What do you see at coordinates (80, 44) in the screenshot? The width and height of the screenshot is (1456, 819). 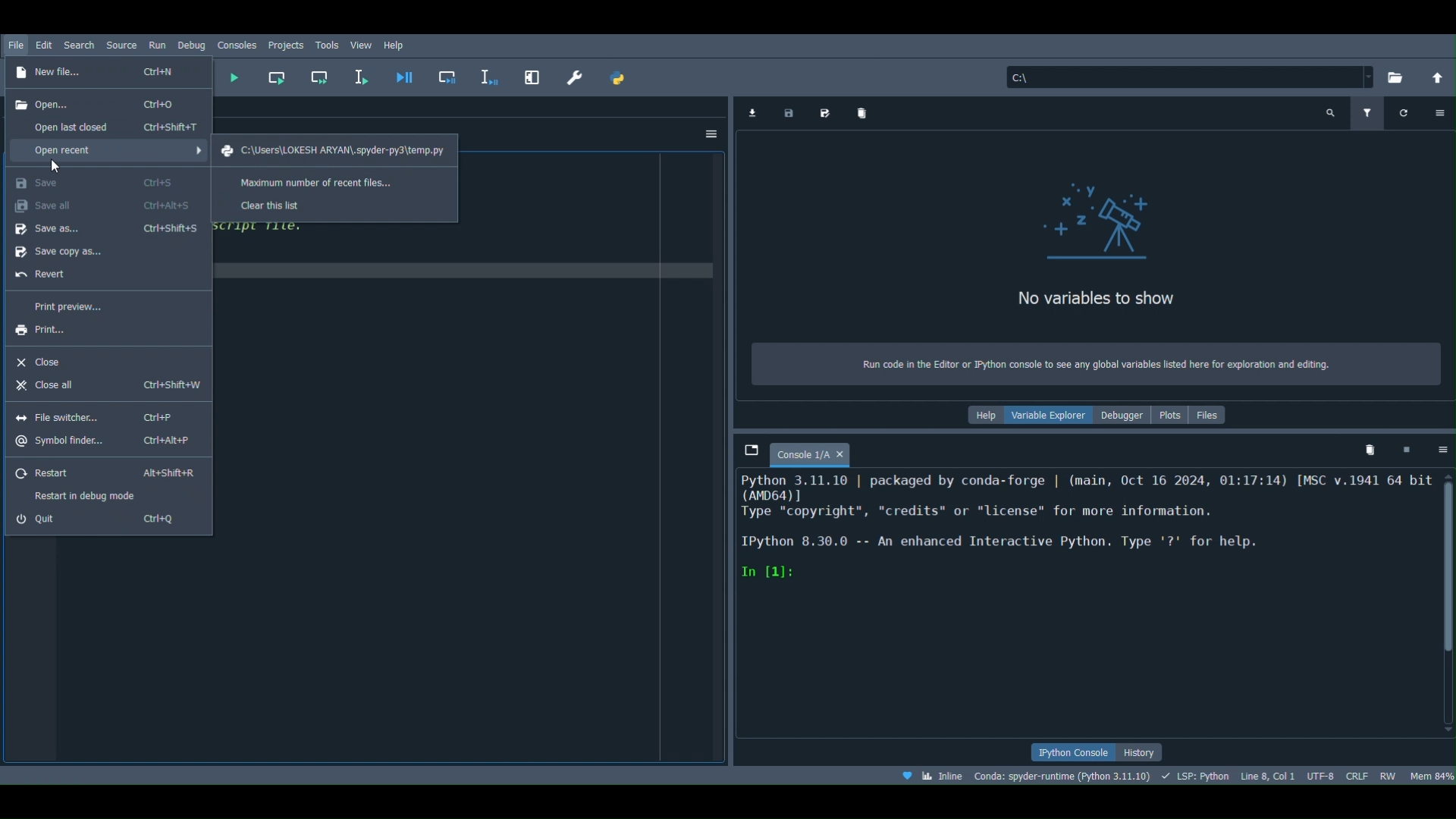 I see `Search` at bounding box center [80, 44].